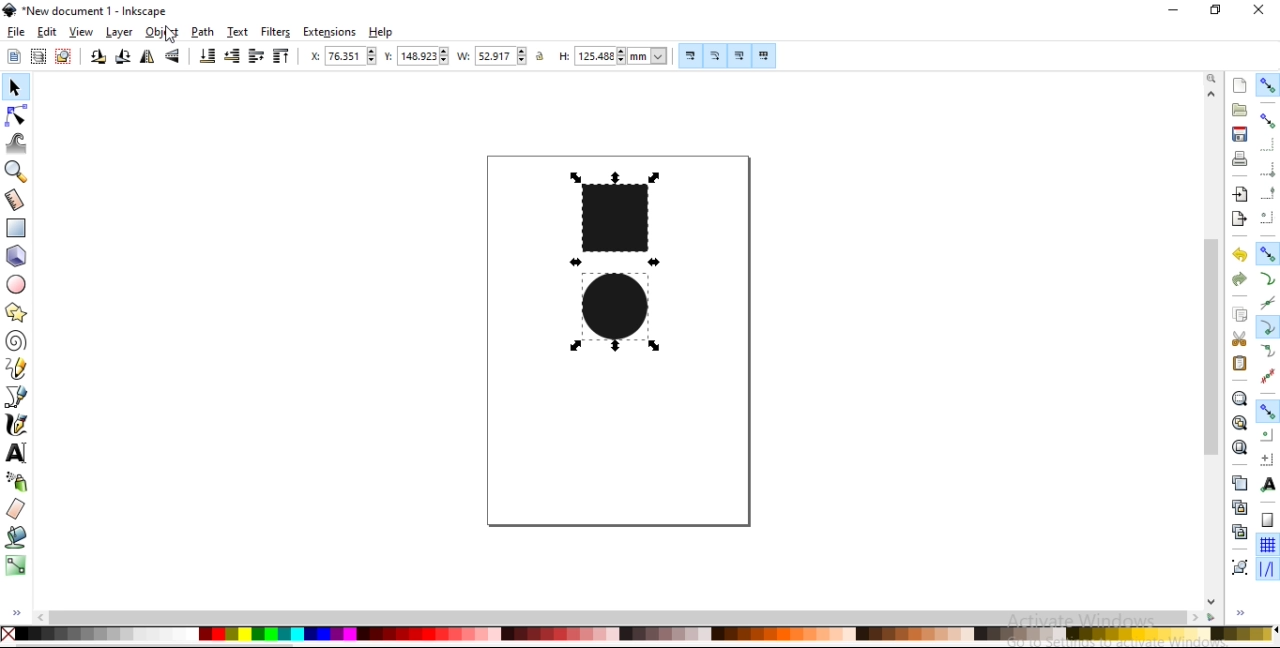 The height and width of the screenshot is (648, 1280). What do you see at coordinates (414, 58) in the screenshot?
I see `vertical coordinate of selection` at bounding box center [414, 58].